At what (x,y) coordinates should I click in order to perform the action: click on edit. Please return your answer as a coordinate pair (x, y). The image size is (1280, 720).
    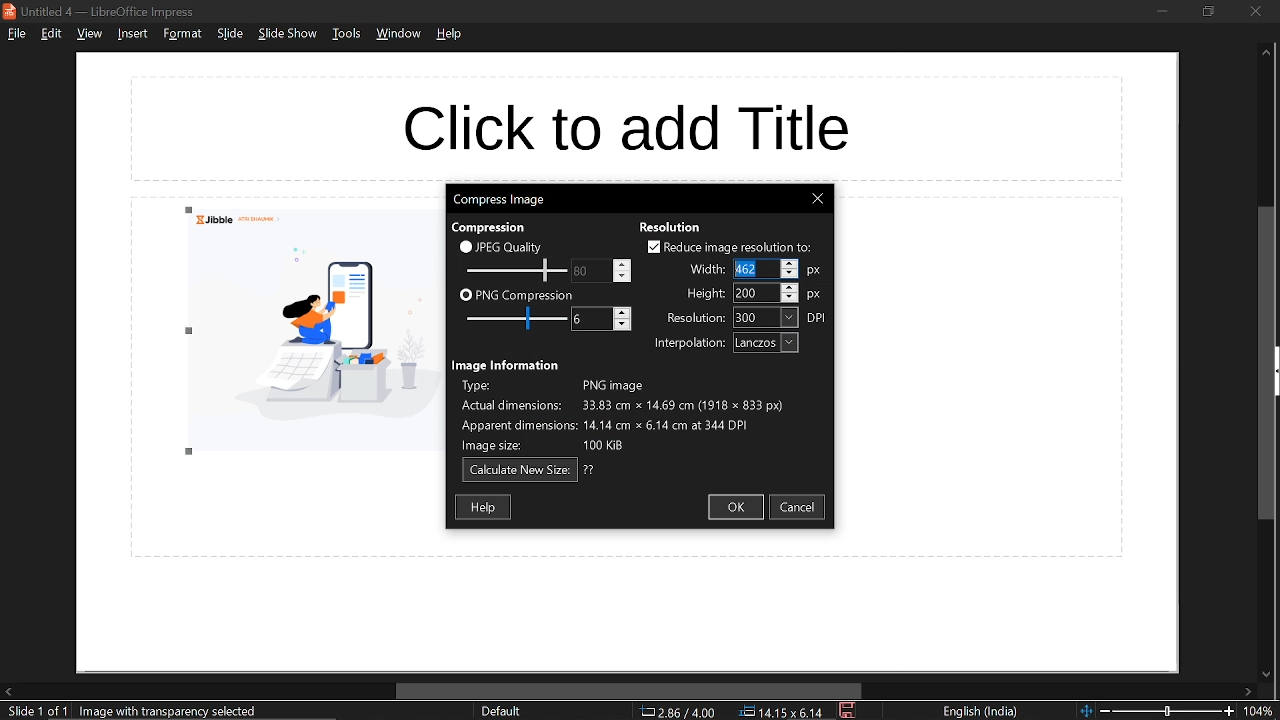
    Looking at the image, I should click on (53, 33).